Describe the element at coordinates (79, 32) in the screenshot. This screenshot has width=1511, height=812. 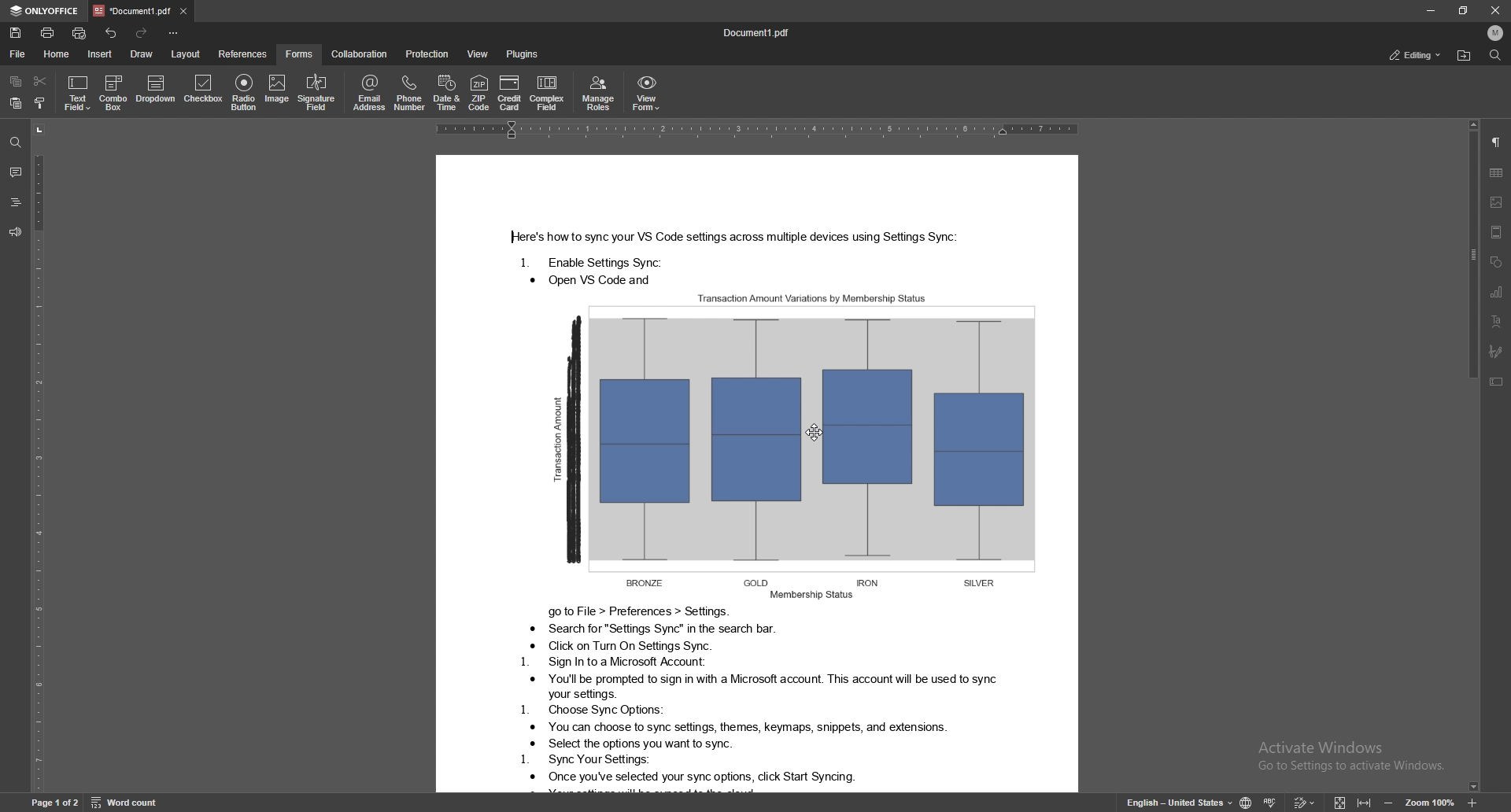
I see `quick print` at that location.